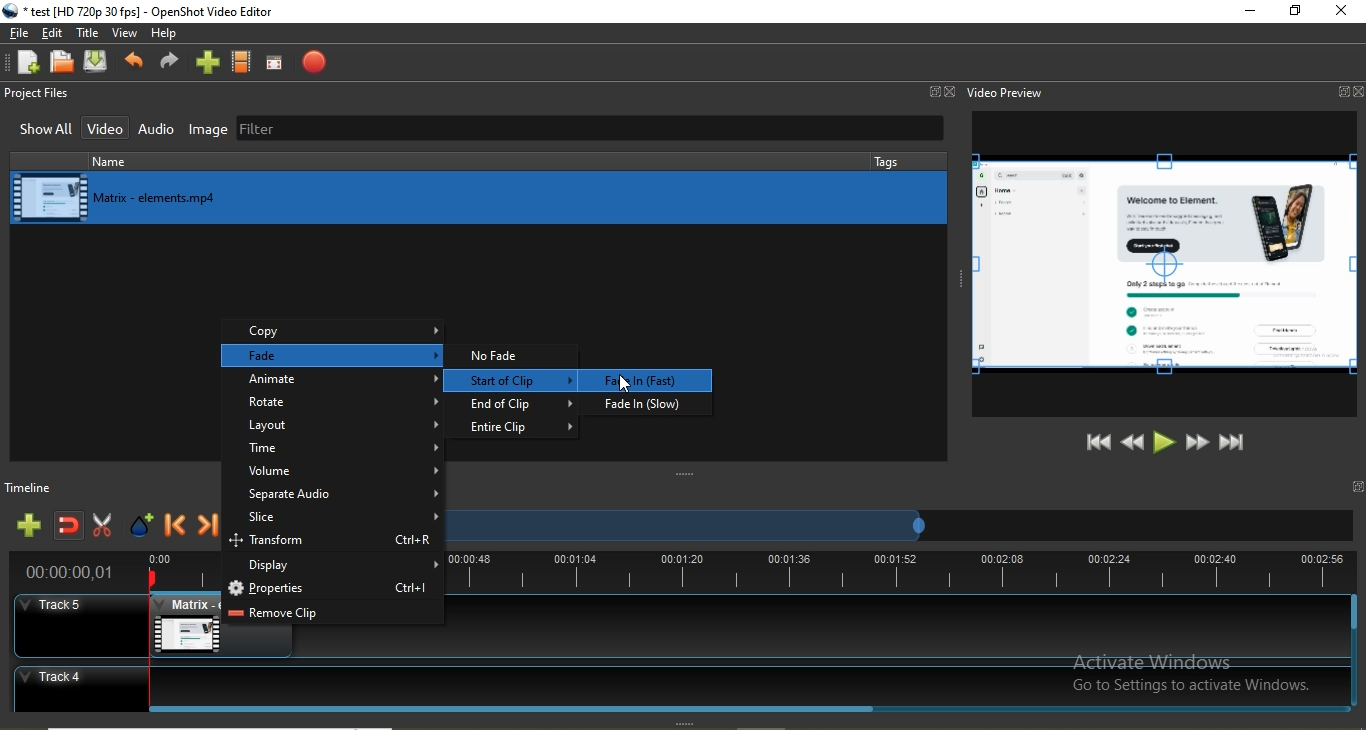  I want to click on rotate, so click(330, 402).